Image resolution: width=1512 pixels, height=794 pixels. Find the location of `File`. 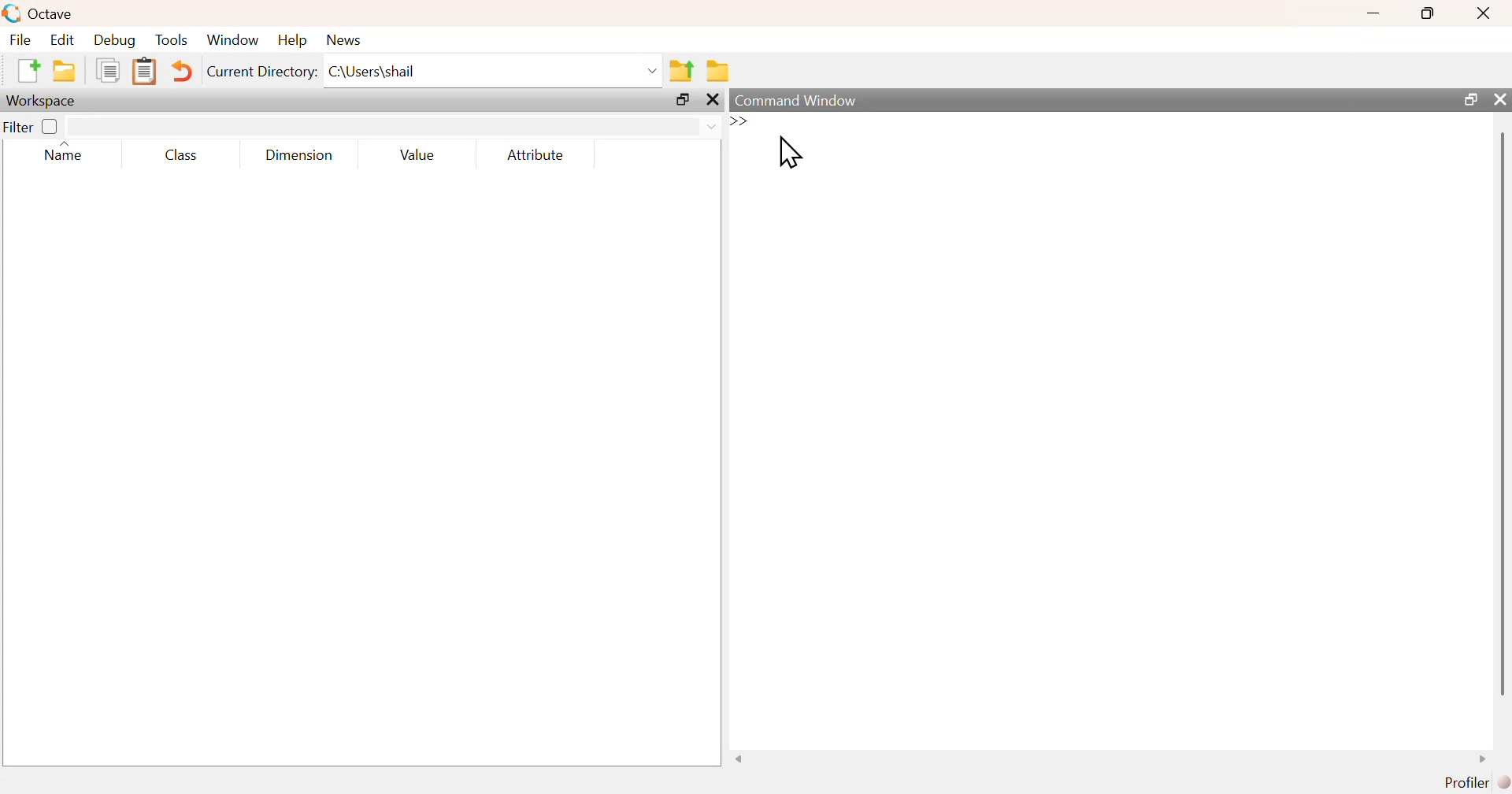

File is located at coordinates (20, 39).